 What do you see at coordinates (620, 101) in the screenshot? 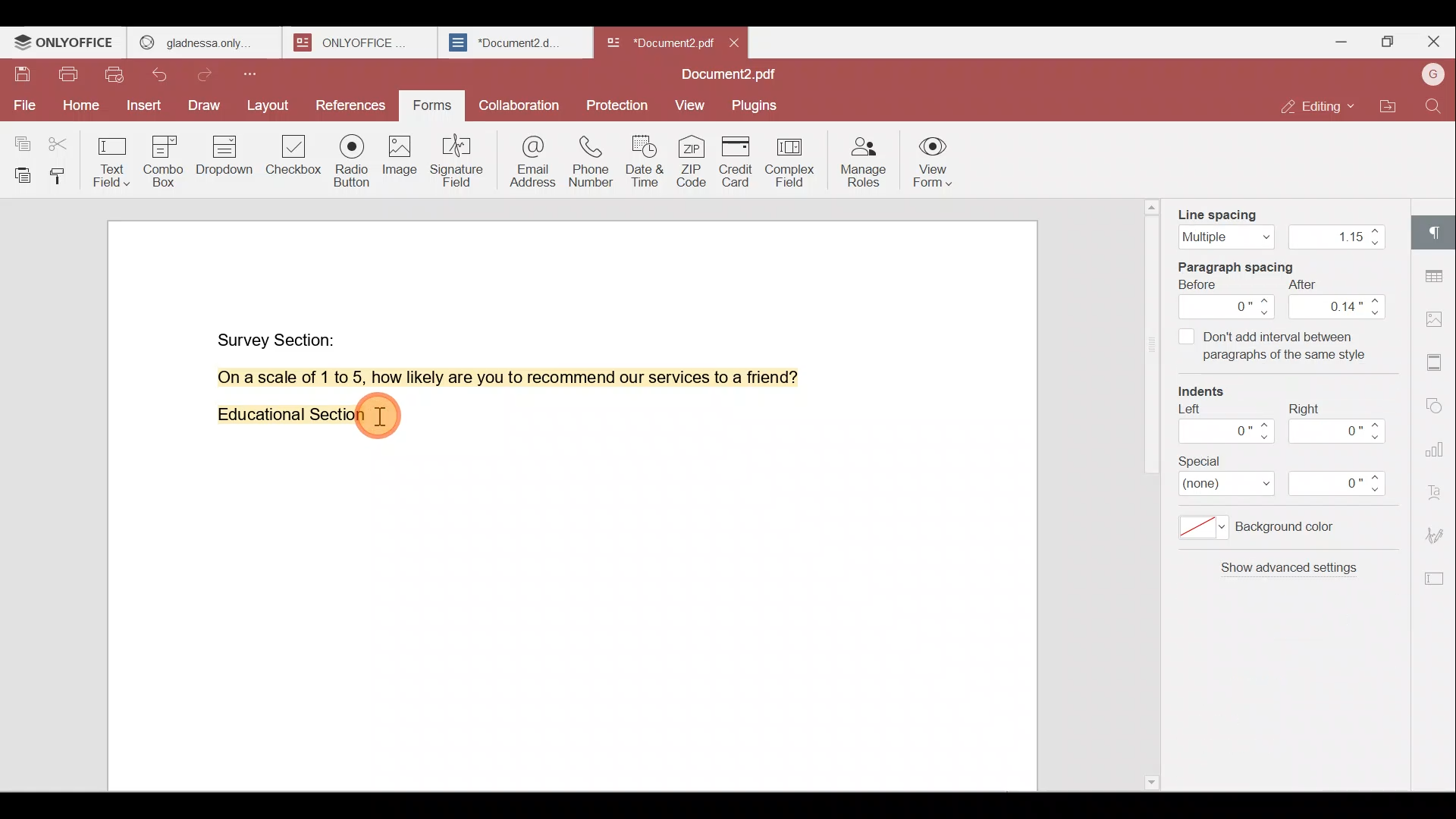
I see `Protection` at bounding box center [620, 101].